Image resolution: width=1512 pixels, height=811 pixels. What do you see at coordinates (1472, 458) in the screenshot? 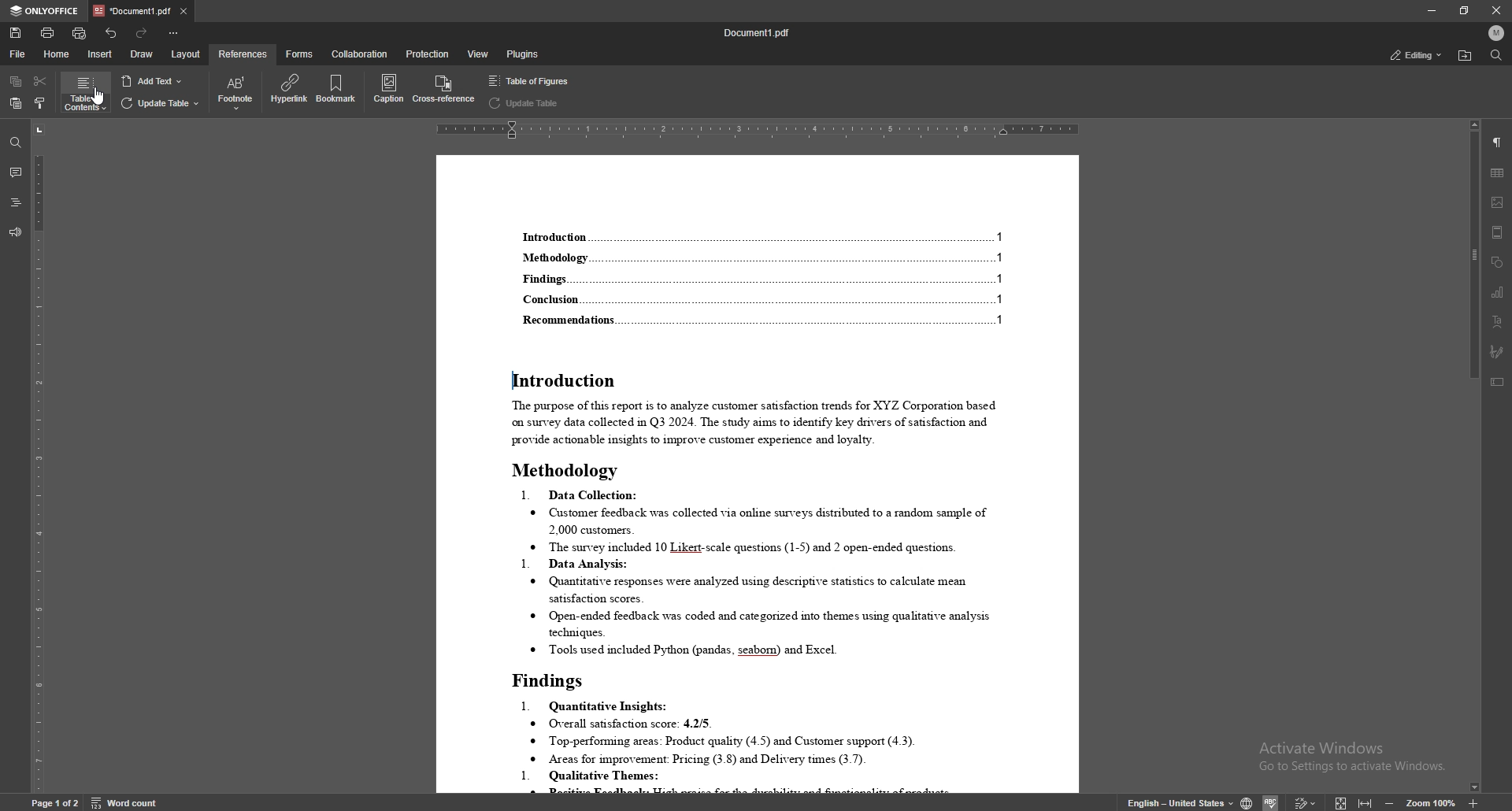
I see `scroll bar` at bounding box center [1472, 458].